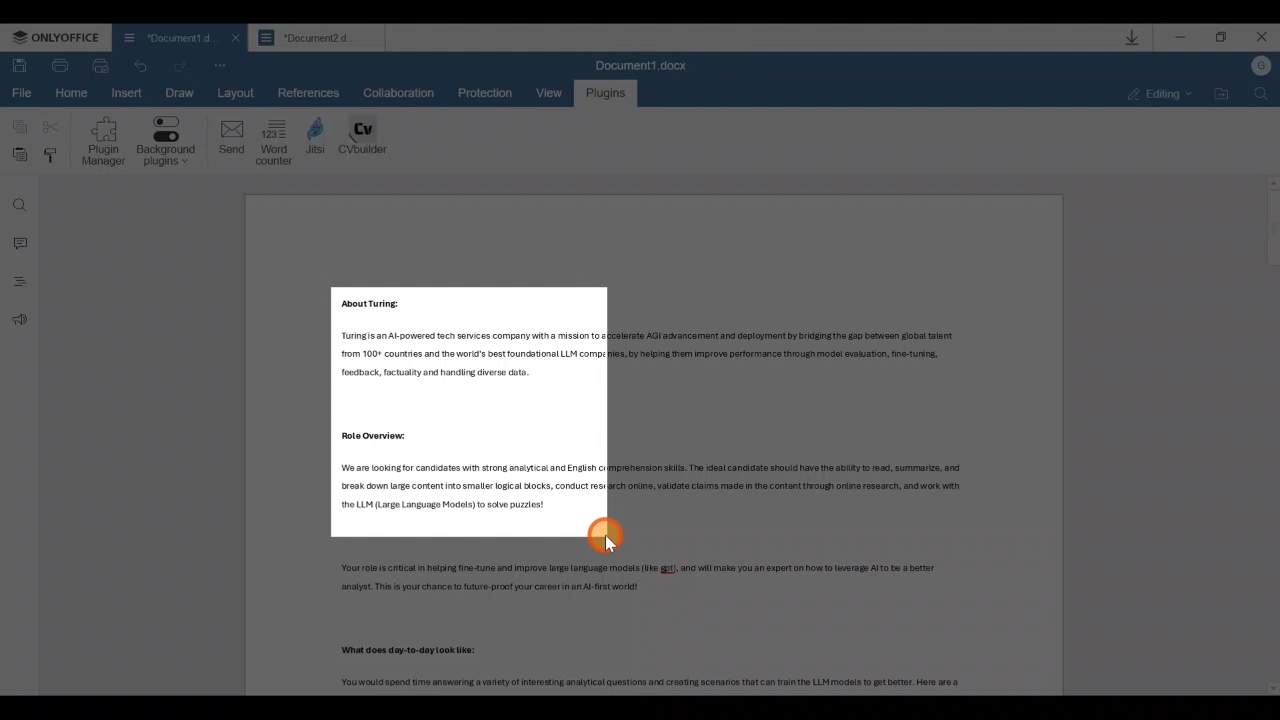  I want to click on Feedback & support, so click(18, 323).